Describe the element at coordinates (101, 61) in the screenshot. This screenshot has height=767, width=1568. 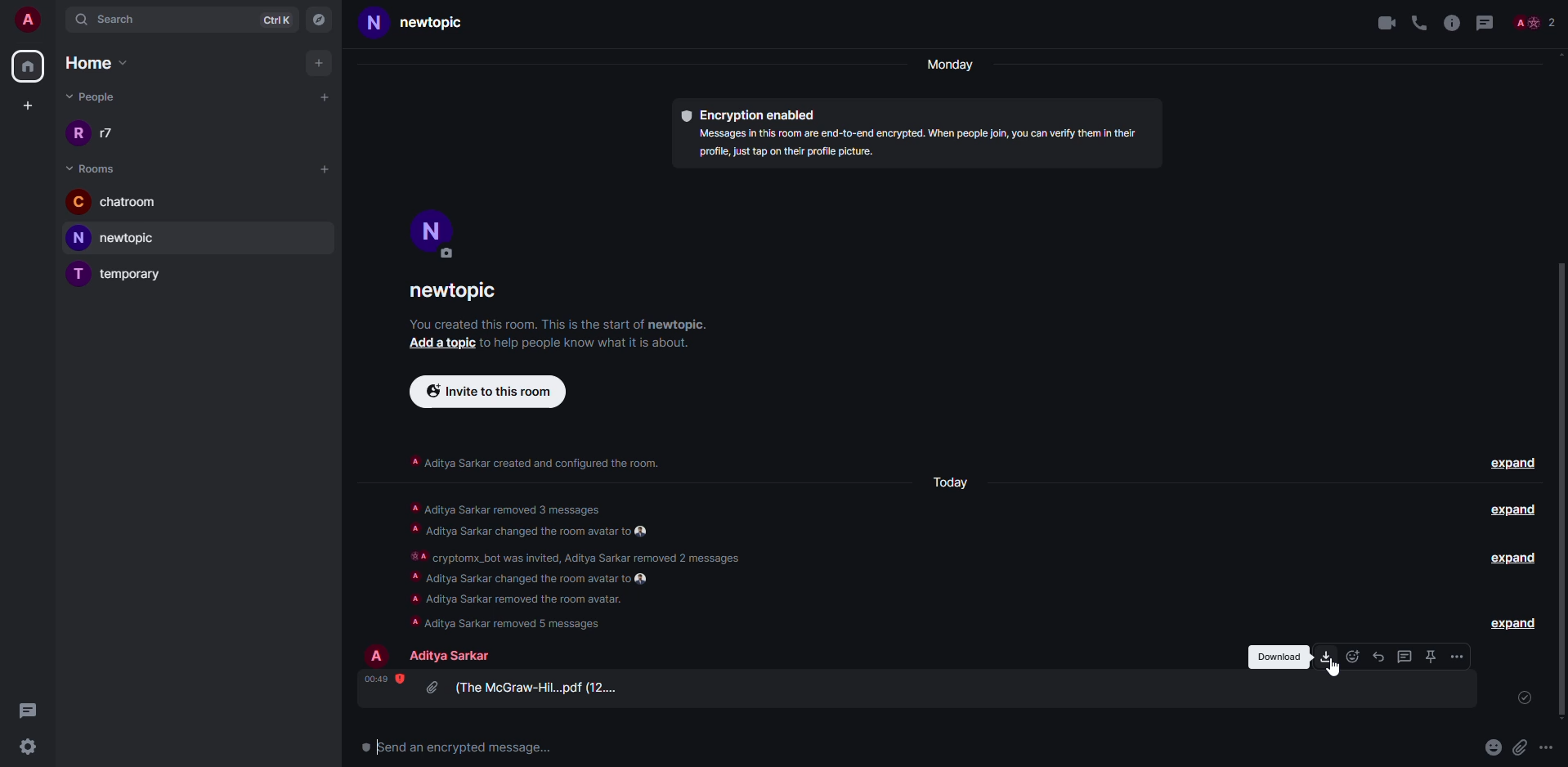
I see `home` at that location.